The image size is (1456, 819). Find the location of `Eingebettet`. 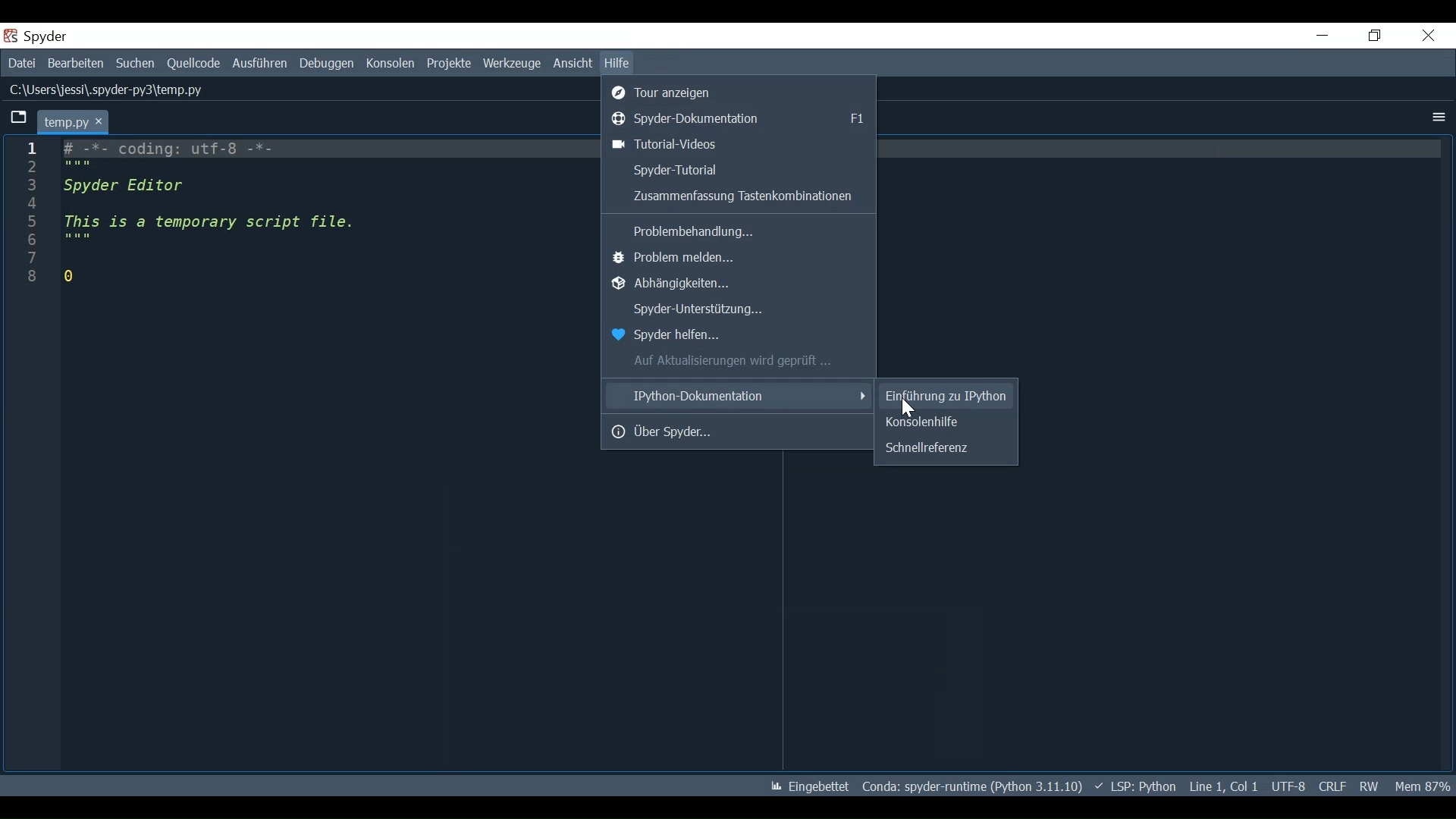

Eingebettet is located at coordinates (811, 787).